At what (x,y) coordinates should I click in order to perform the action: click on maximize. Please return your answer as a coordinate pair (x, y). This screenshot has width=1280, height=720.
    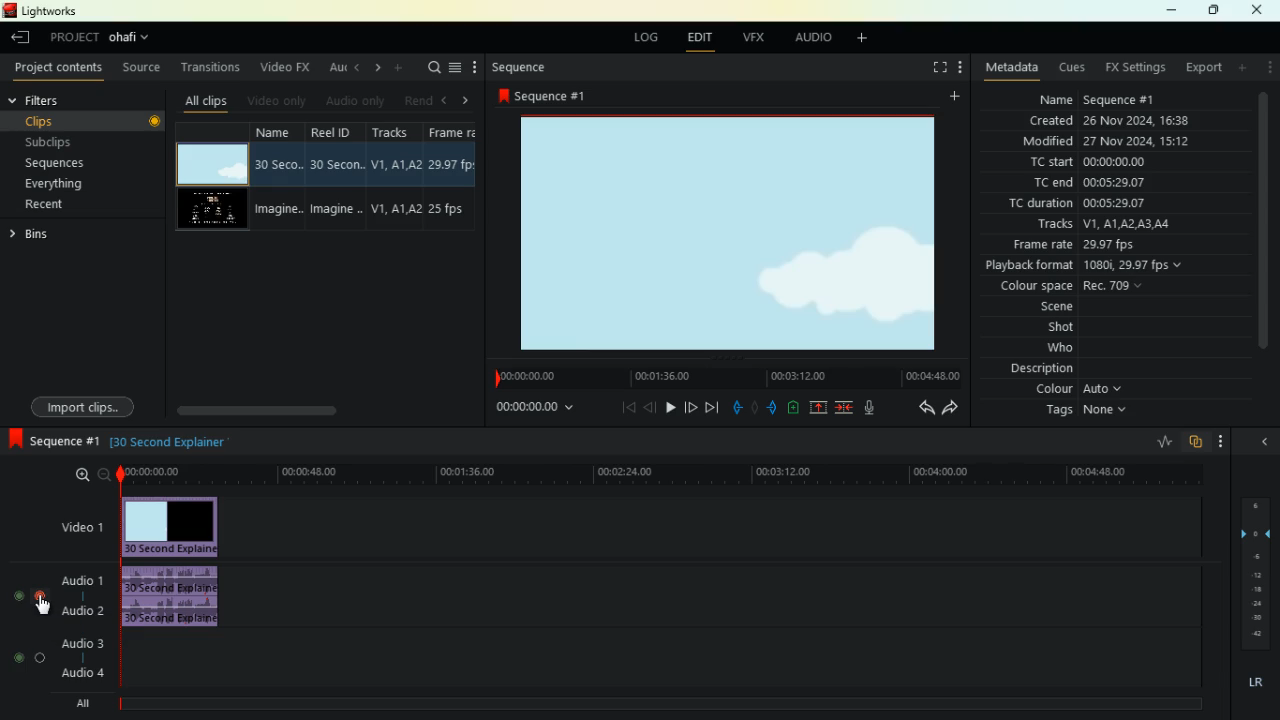
    Looking at the image, I should click on (1216, 11).